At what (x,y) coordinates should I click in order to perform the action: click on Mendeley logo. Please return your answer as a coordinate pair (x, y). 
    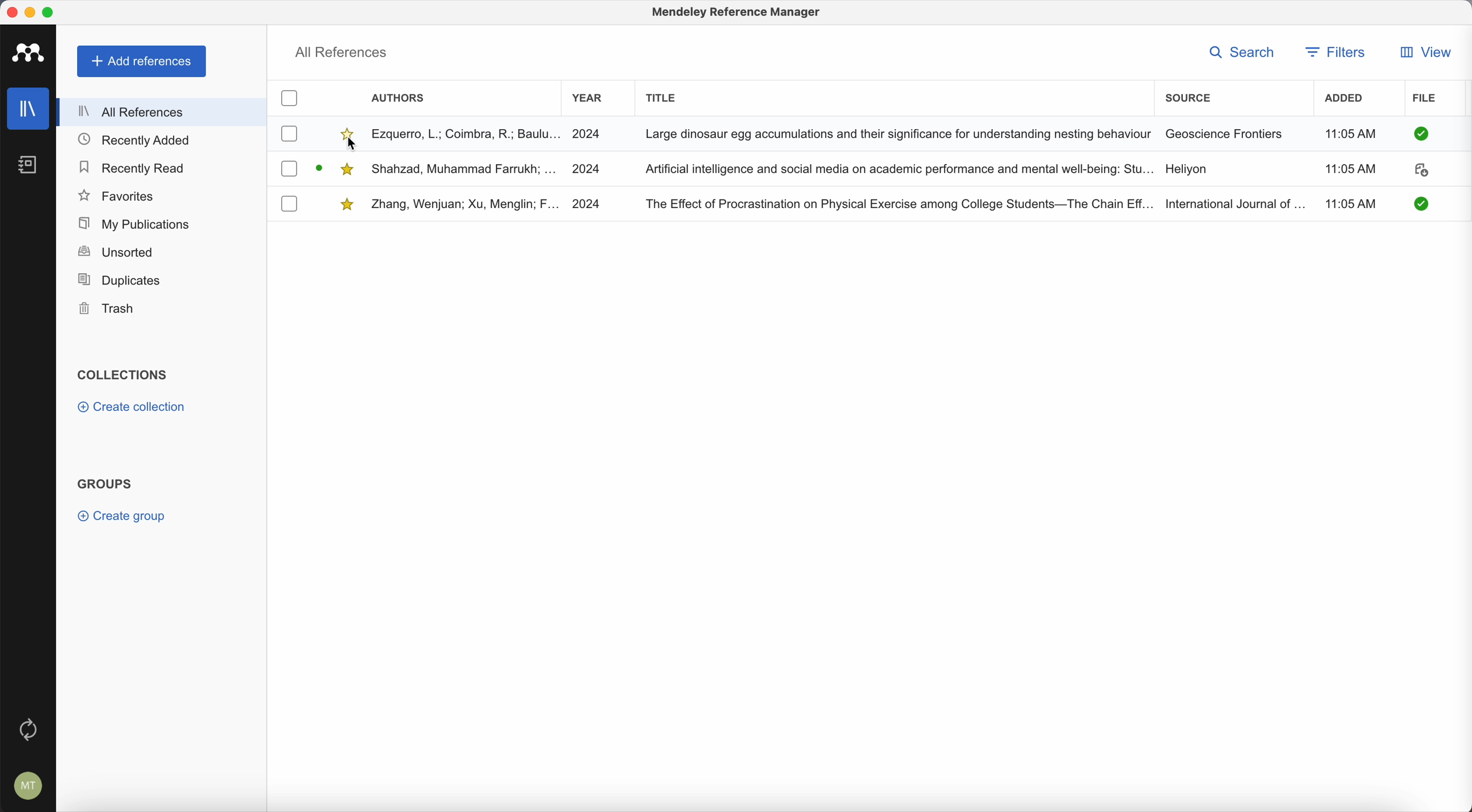
    Looking at the image, I should click on (31, 54).